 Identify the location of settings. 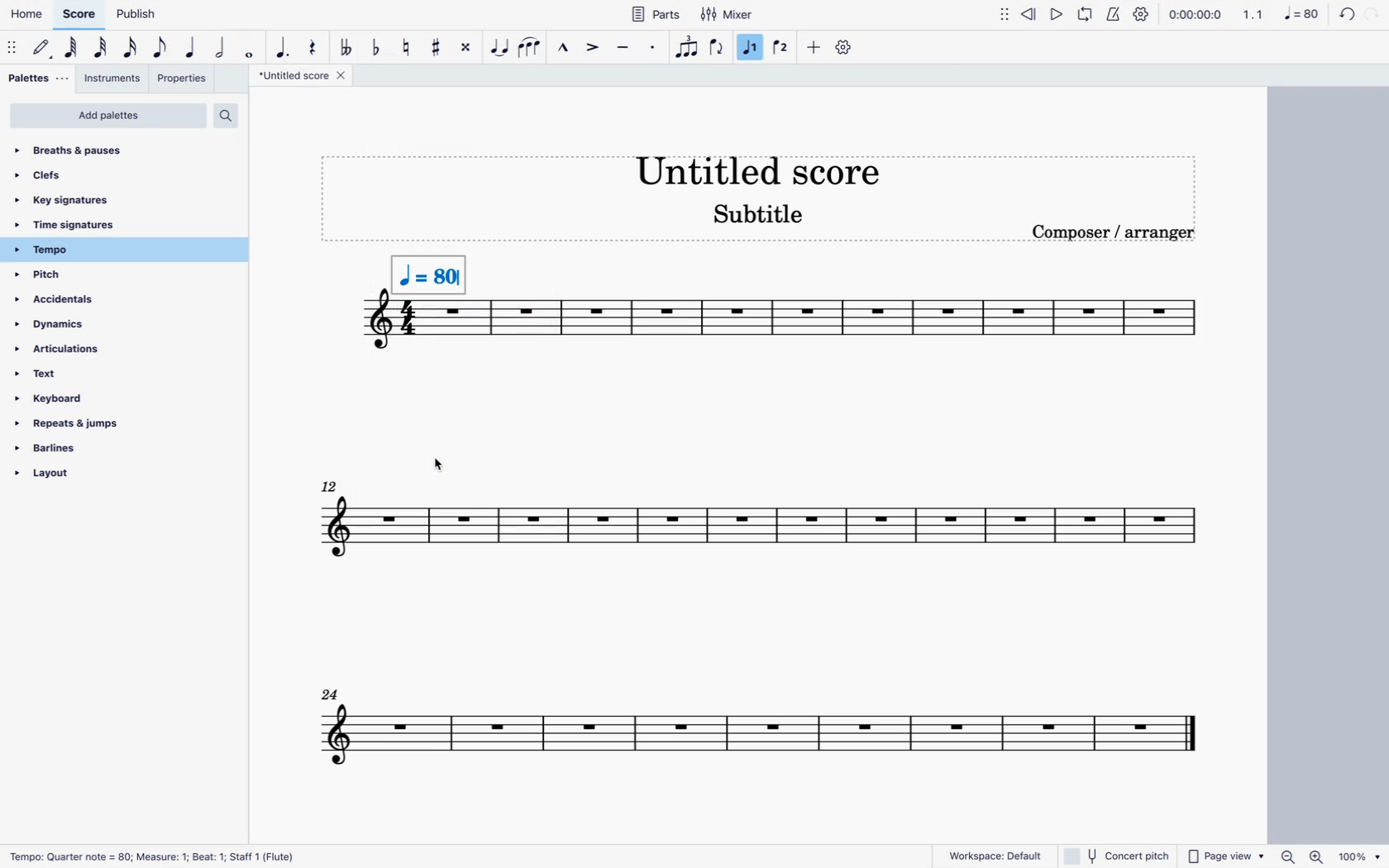
(1141, 14).